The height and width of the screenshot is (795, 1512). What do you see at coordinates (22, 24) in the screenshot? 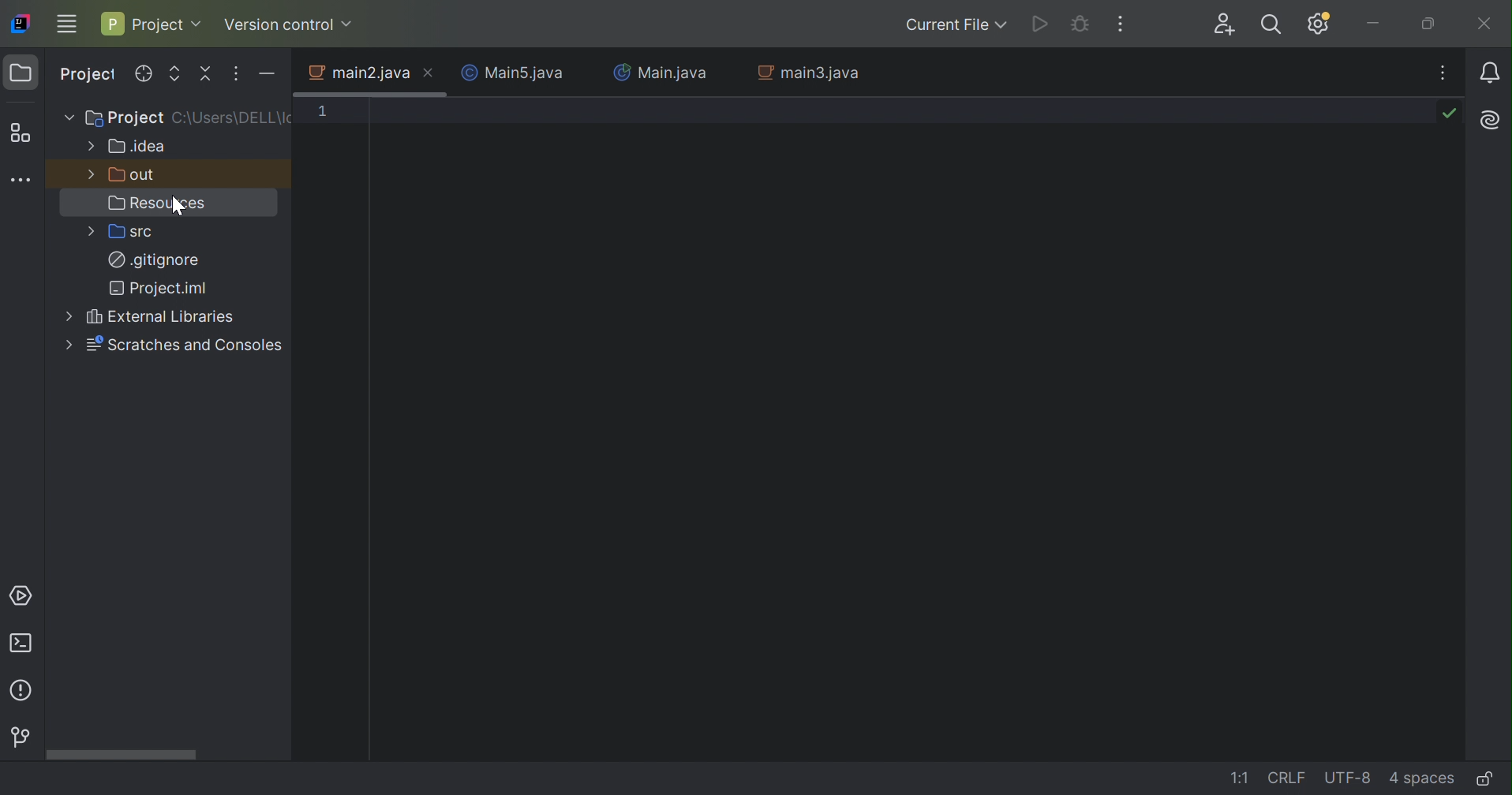
I see `IntelliJ IDEA icon` at bounding box center [22, 24].